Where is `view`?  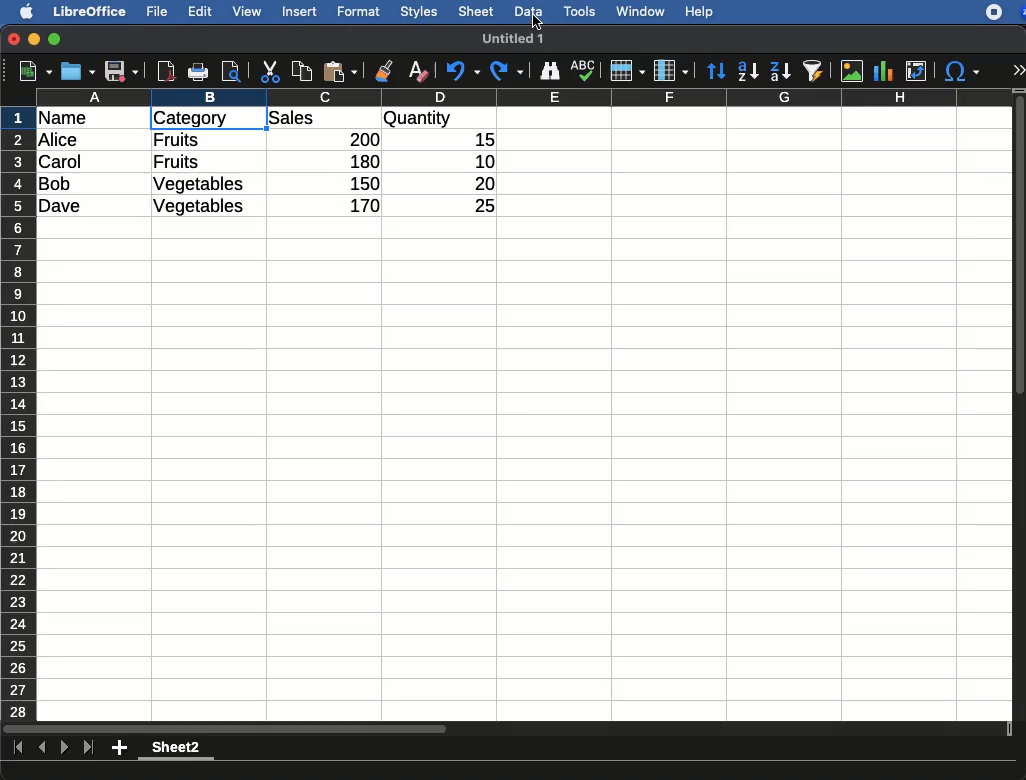 view is located at coordinates (247, 11).